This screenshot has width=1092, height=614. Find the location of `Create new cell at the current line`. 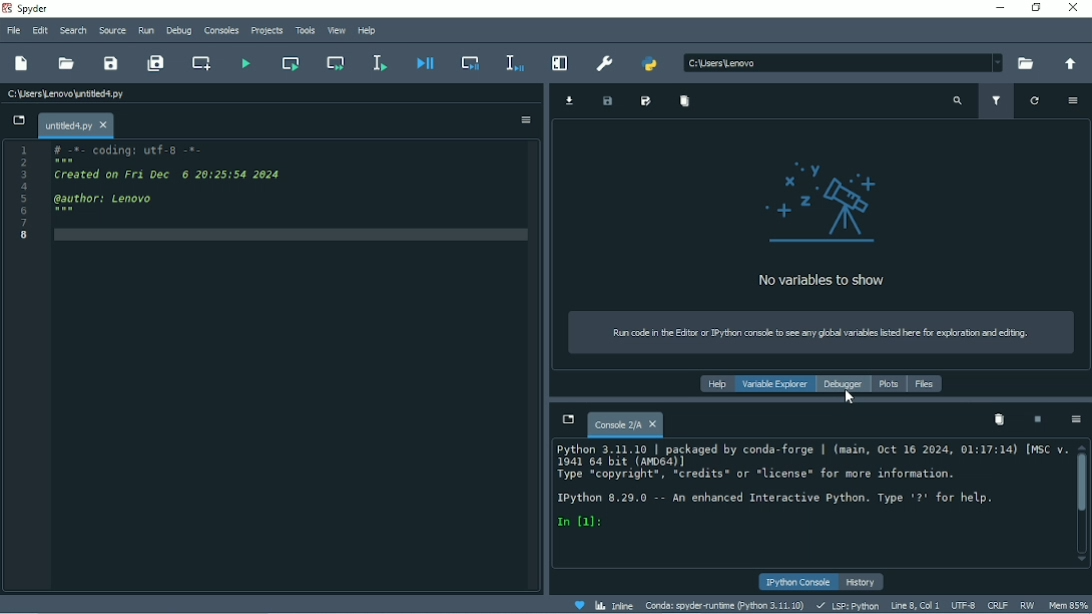

Create new cell at the current line is located at coordinates (200, 63).